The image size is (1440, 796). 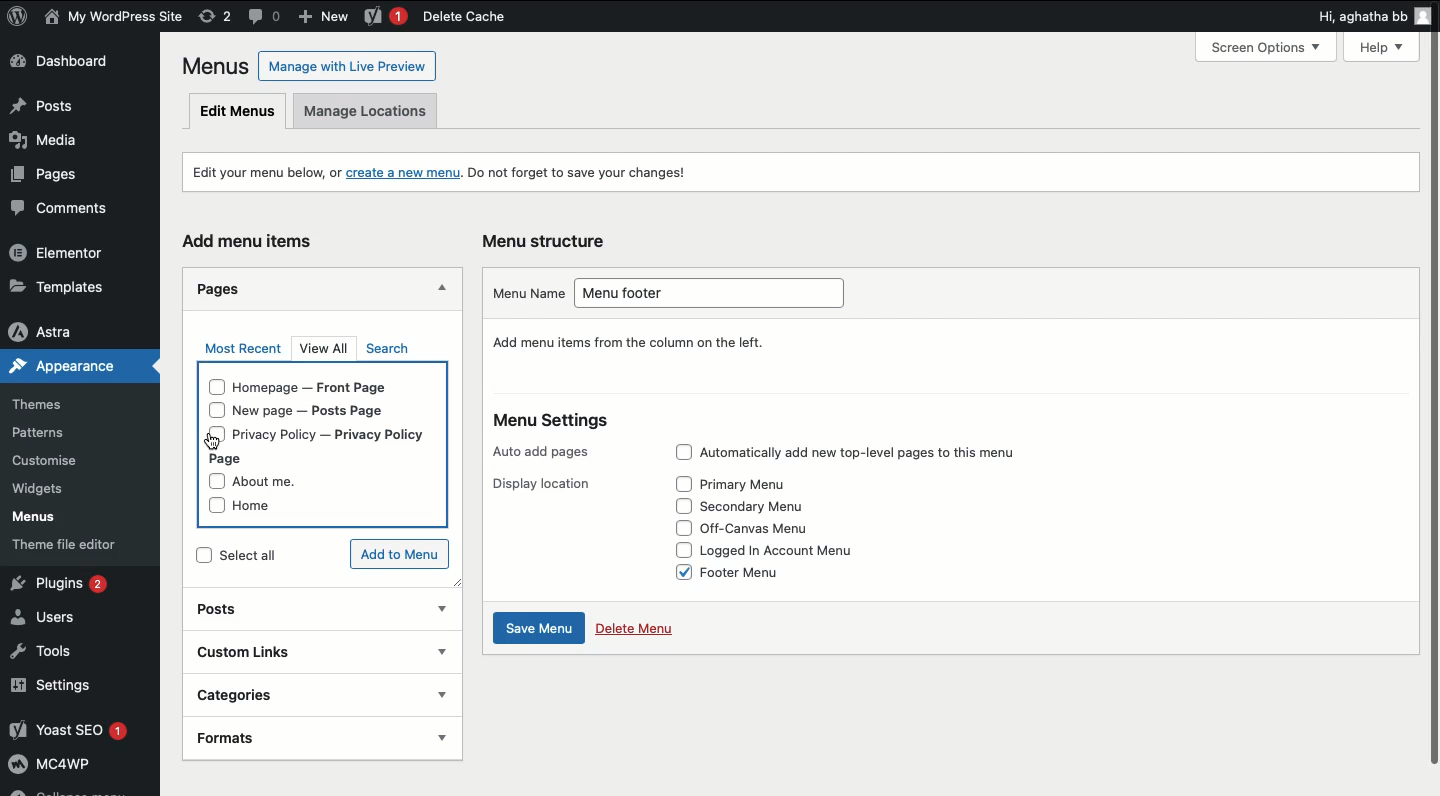 What do you see at coordinates (347, 65) in the screenshot?
I see `Manage with Live Preview` at bounding box center [347, 65].